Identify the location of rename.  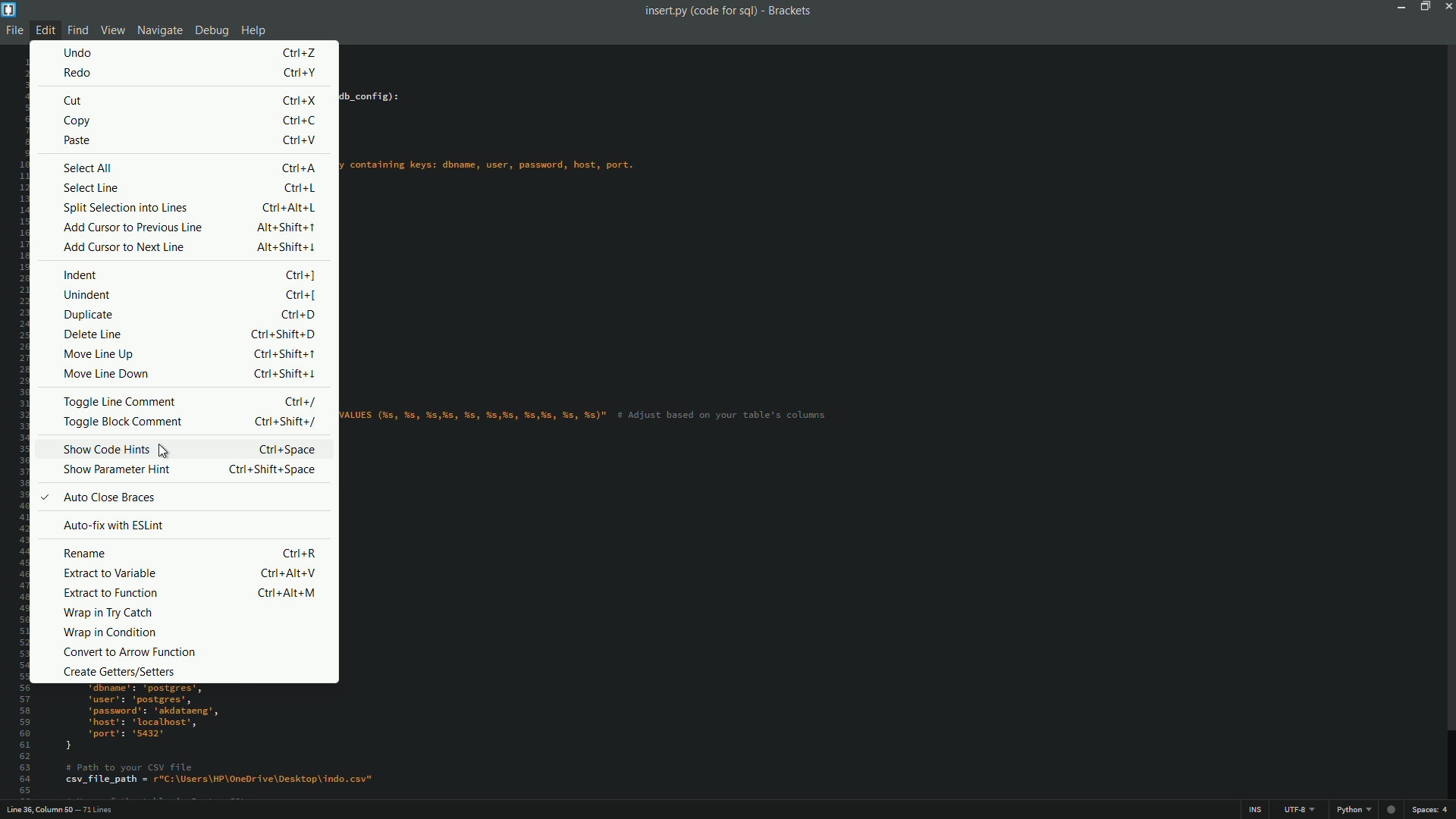
(85, 554).